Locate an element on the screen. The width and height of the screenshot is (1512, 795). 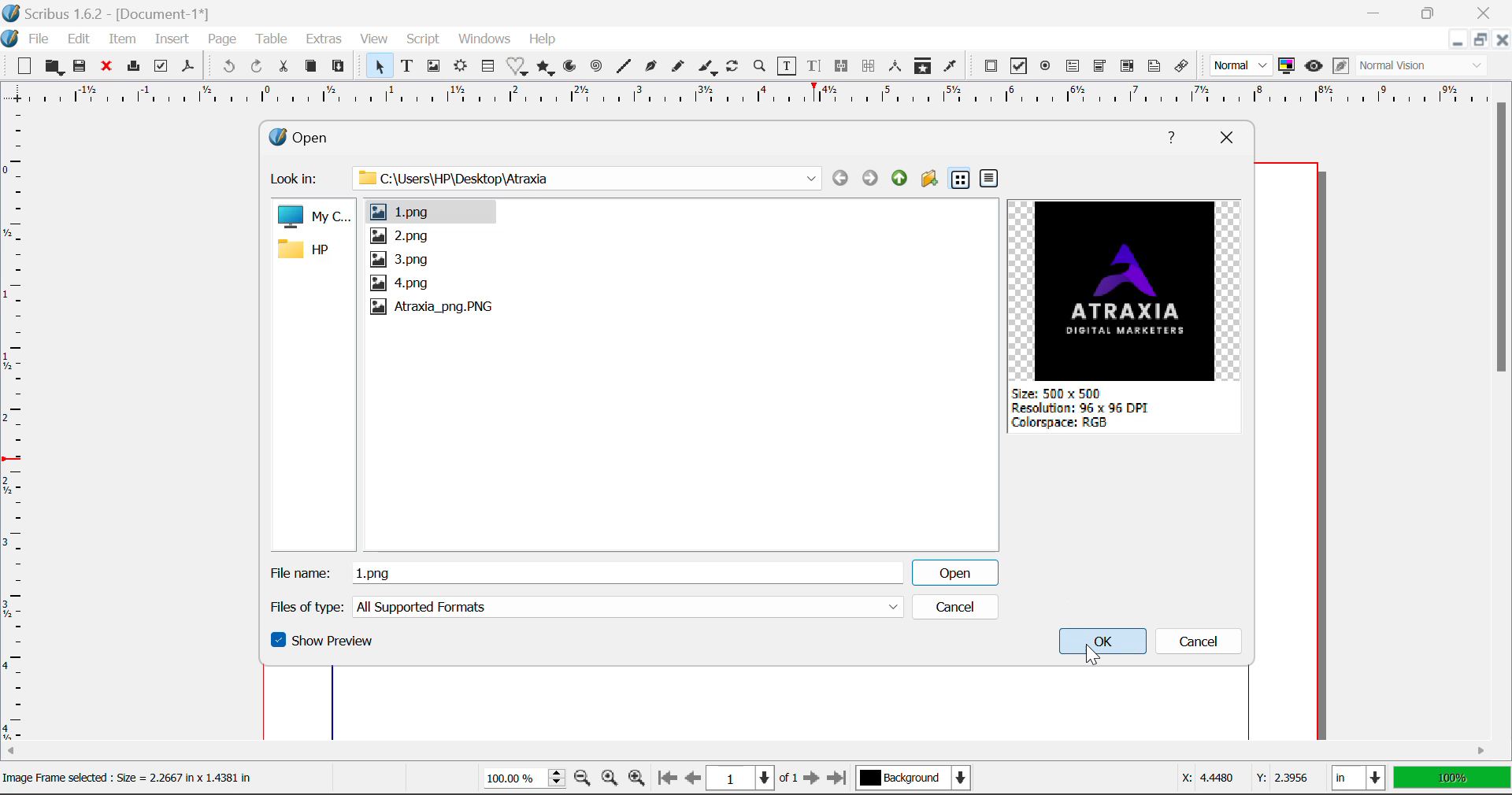
4.pNg is located at coordinates (402, 283).